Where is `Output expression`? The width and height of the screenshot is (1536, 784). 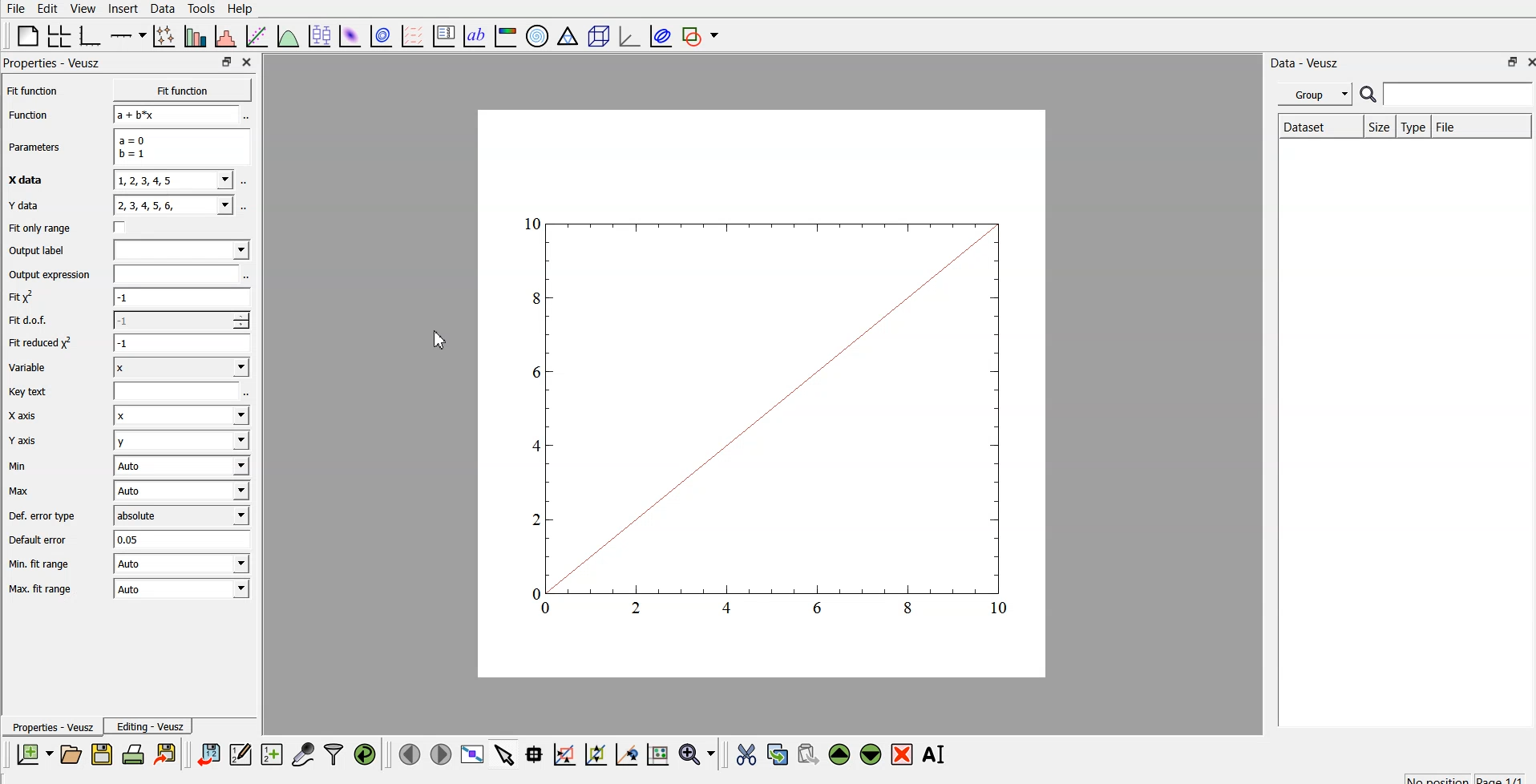
Output expression is located at coordinates (51, 274).